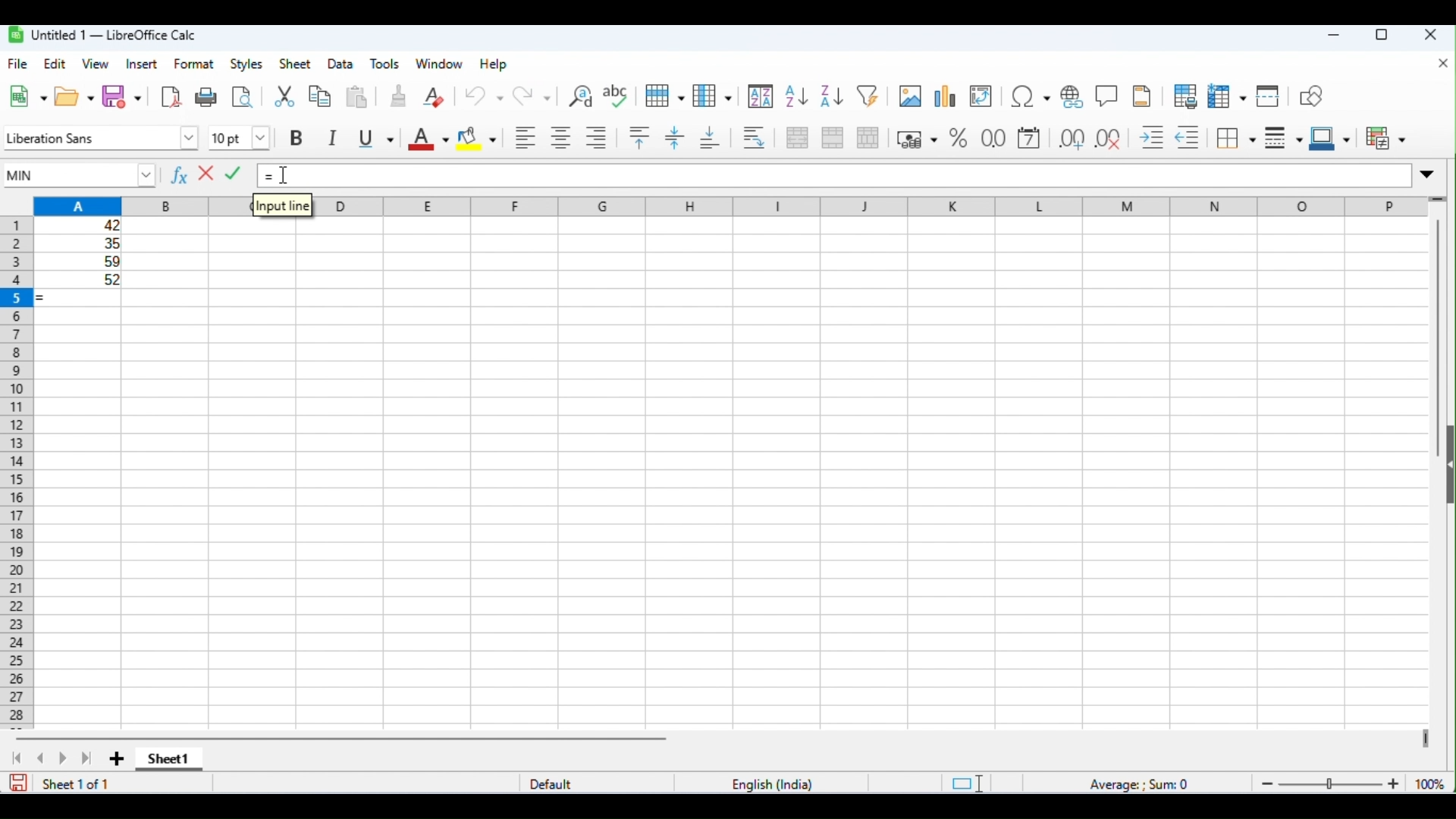 The height and width of the screenshot is (819, 1456). Describe the element at coordinates (386, 64) in the screenshot. I see `tools` at that location.